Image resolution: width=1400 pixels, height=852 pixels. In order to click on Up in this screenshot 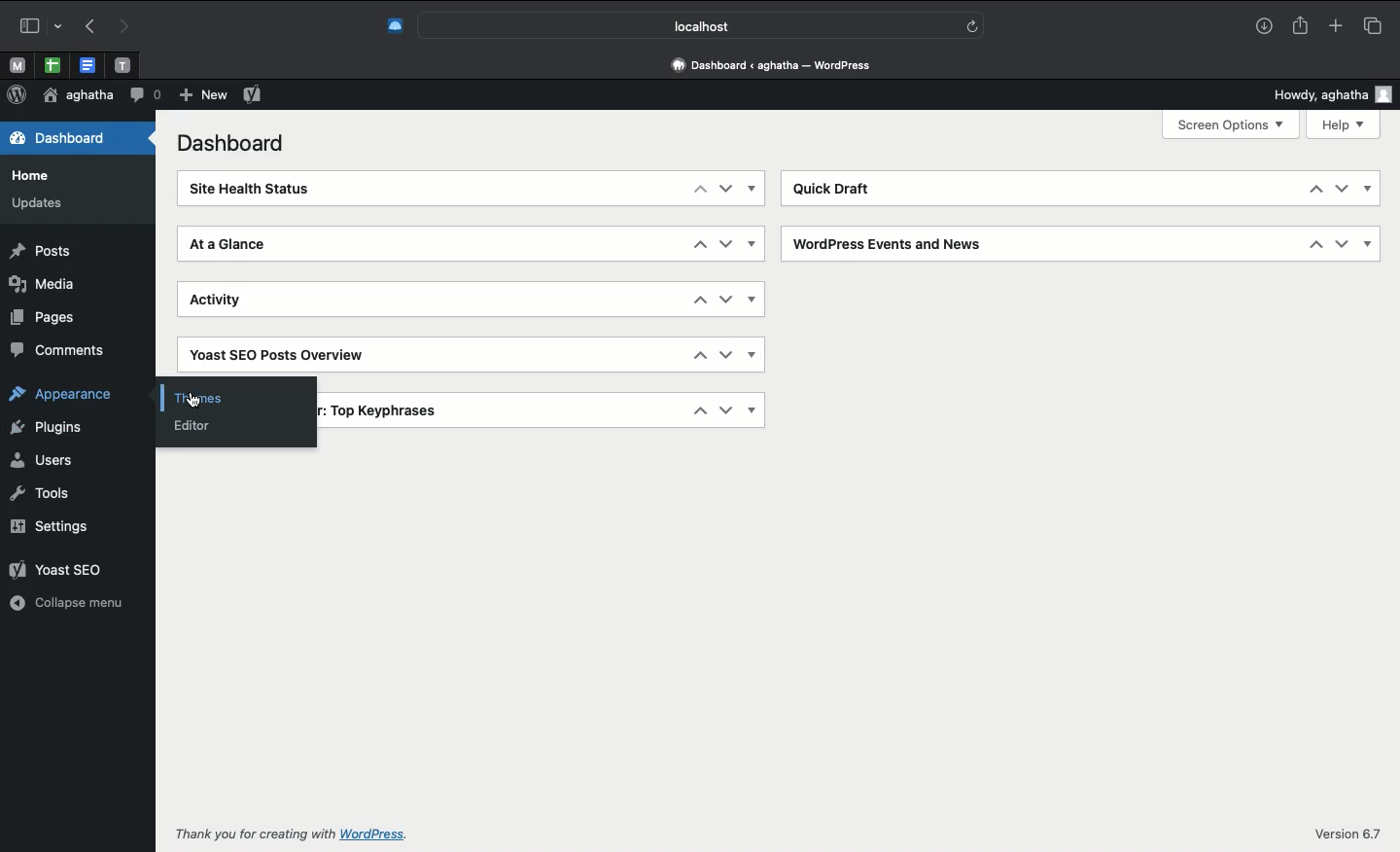, I will do `click(696, 299)`.